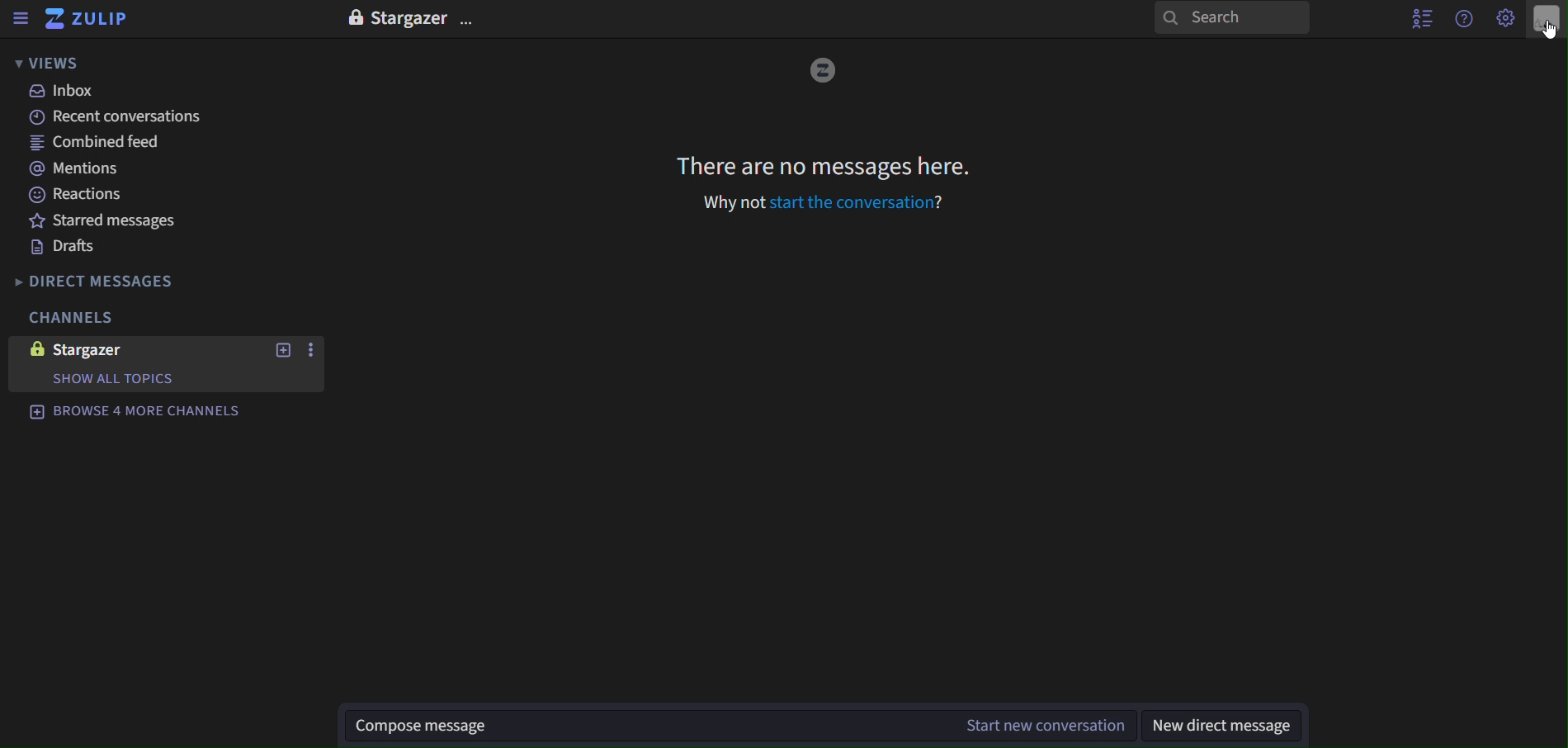  What do you see at coordinates (1042, 725) in the screenshot?
I see `start new conversation` at bounding box center [1042, 725].